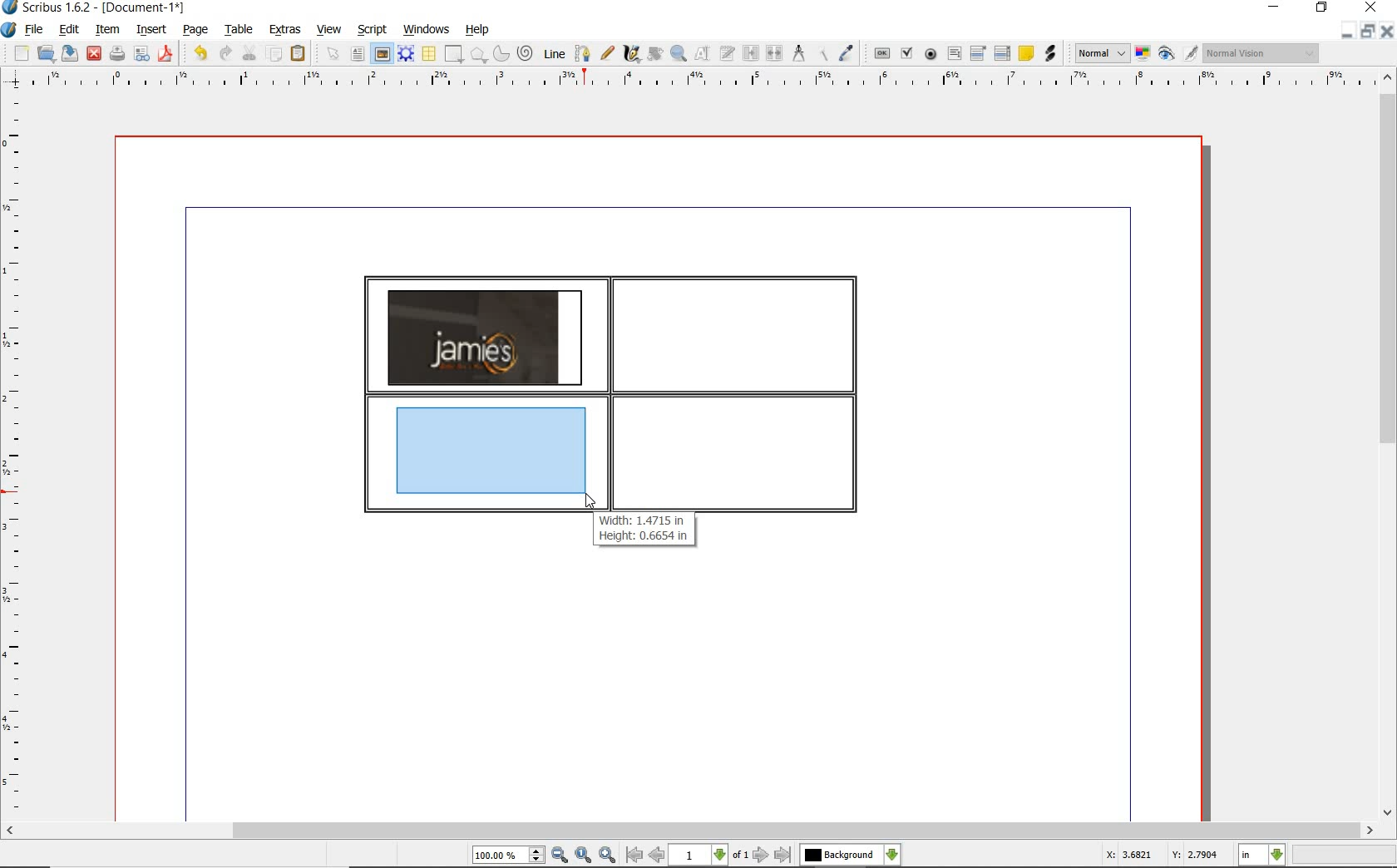 Image resolution: width=1397 pixels, height=868 pixels. I want to click on undo, so click(200, 53).